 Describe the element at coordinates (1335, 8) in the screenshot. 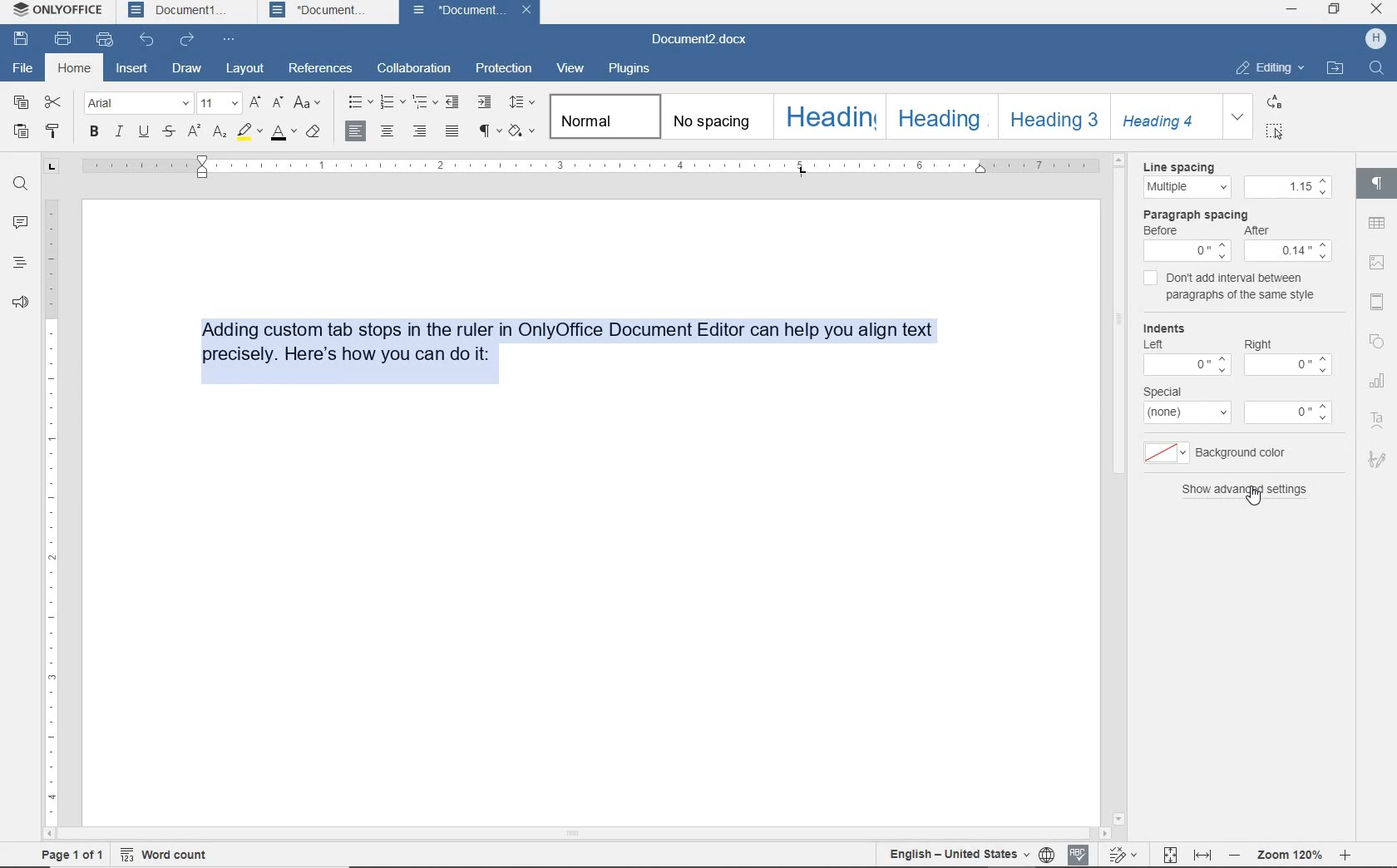

I see `restore down` at that location.